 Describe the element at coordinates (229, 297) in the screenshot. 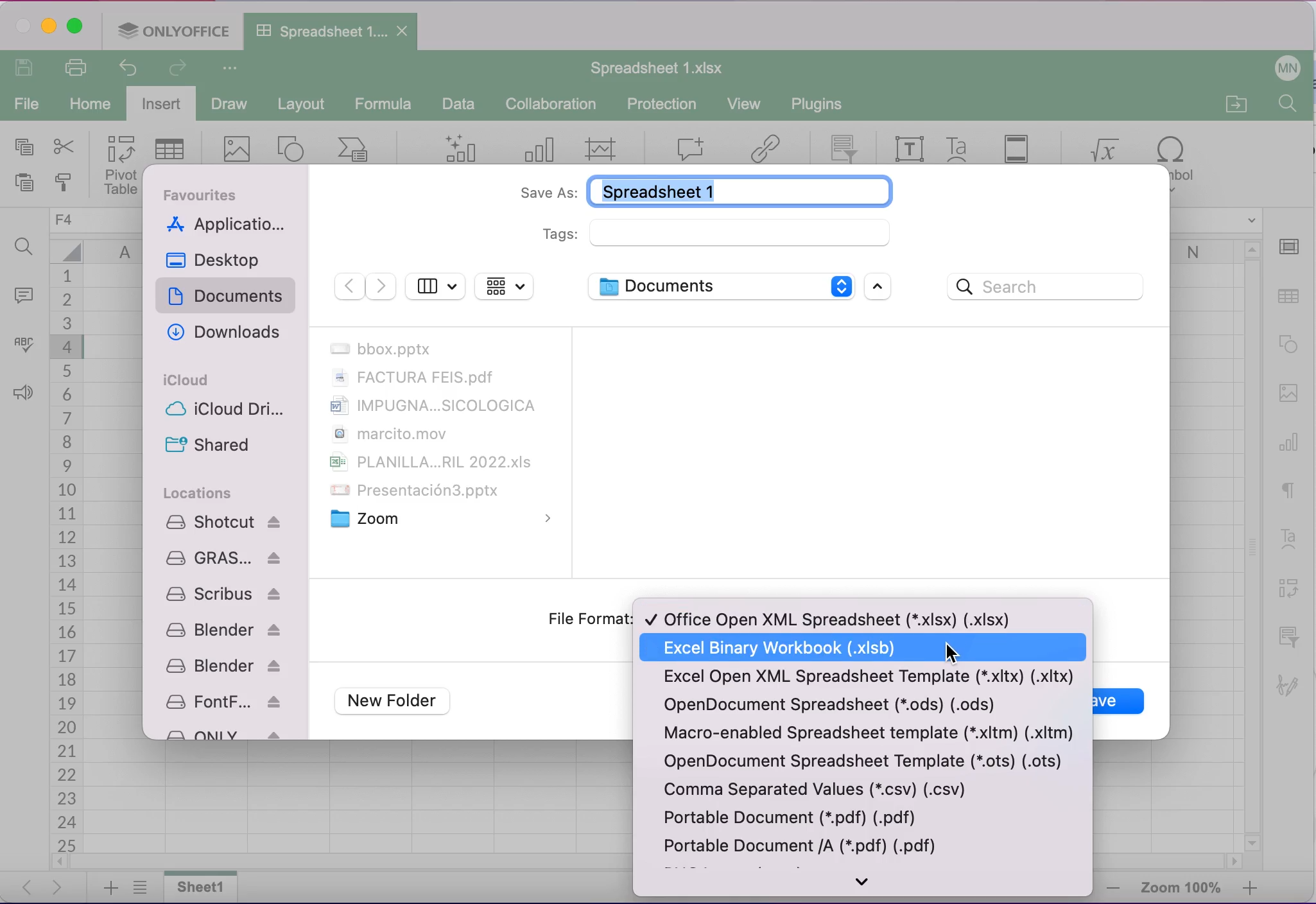

I see `documents` at that location.